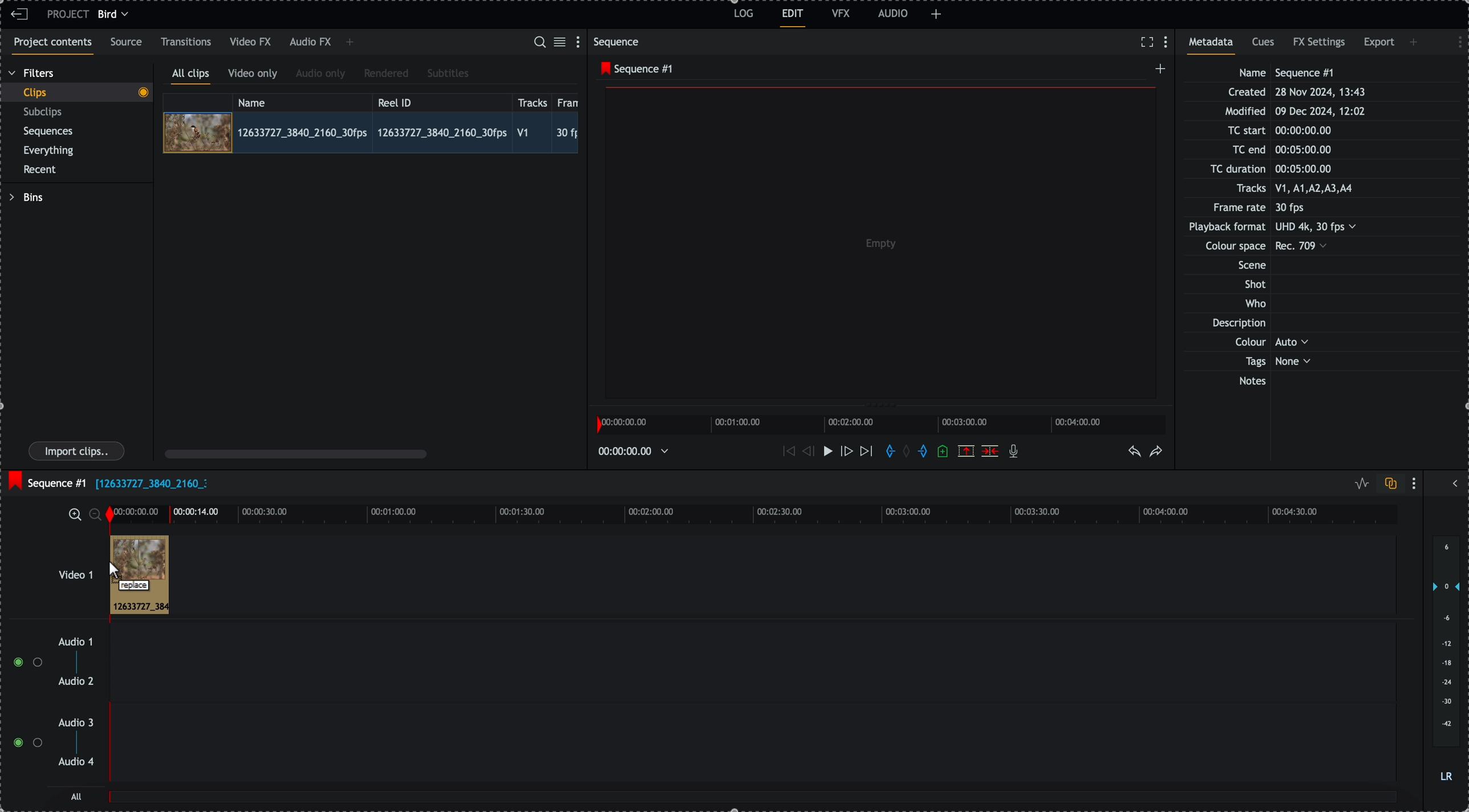 The height and width of the screenshot is (812, 1469). I want to click on clear marks, so click(910, 452).